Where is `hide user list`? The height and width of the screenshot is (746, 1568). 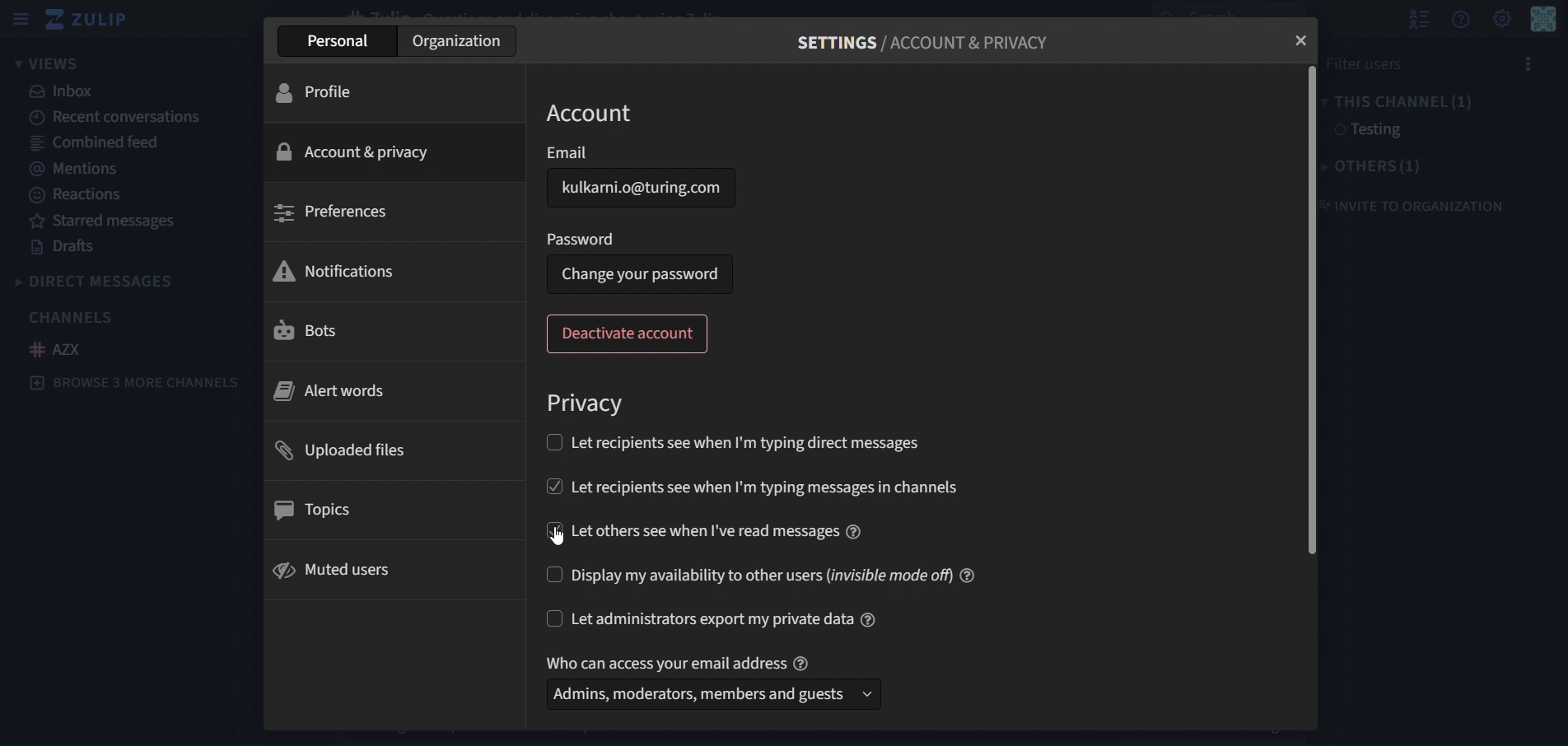
hide user list is located at coordinates (1414, 20).